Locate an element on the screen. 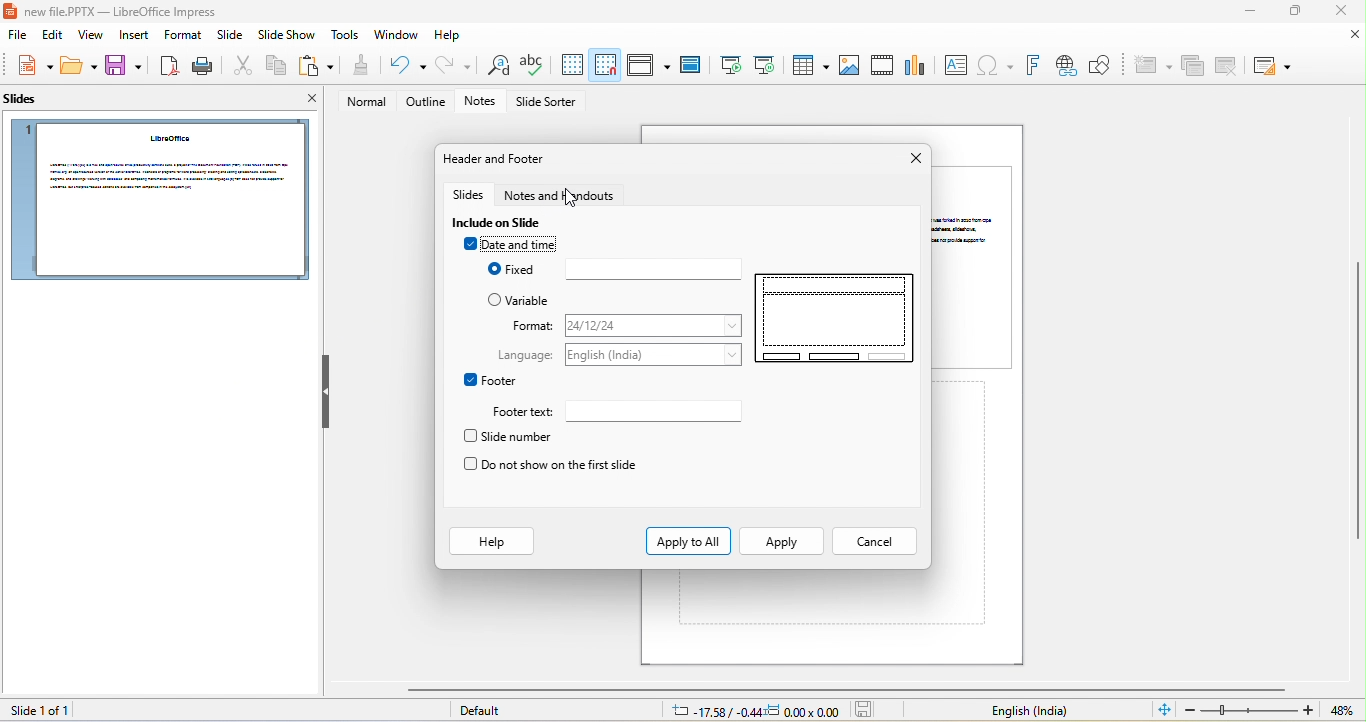 This screenshot has width=1366, height=722. notes and handouts is located at coordinates (567, 196).